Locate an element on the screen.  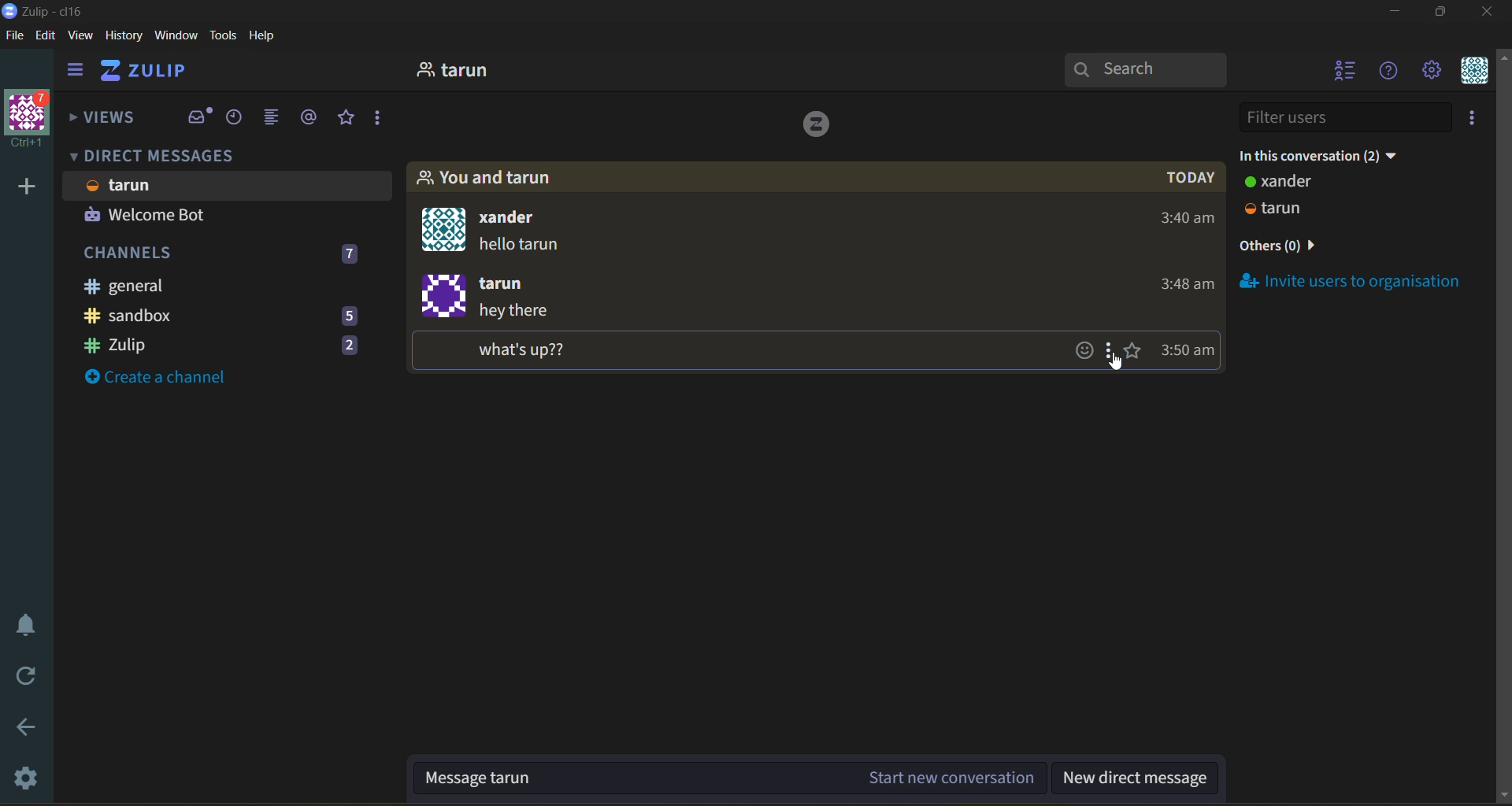
maximize is located at coordinates (1448, 13).